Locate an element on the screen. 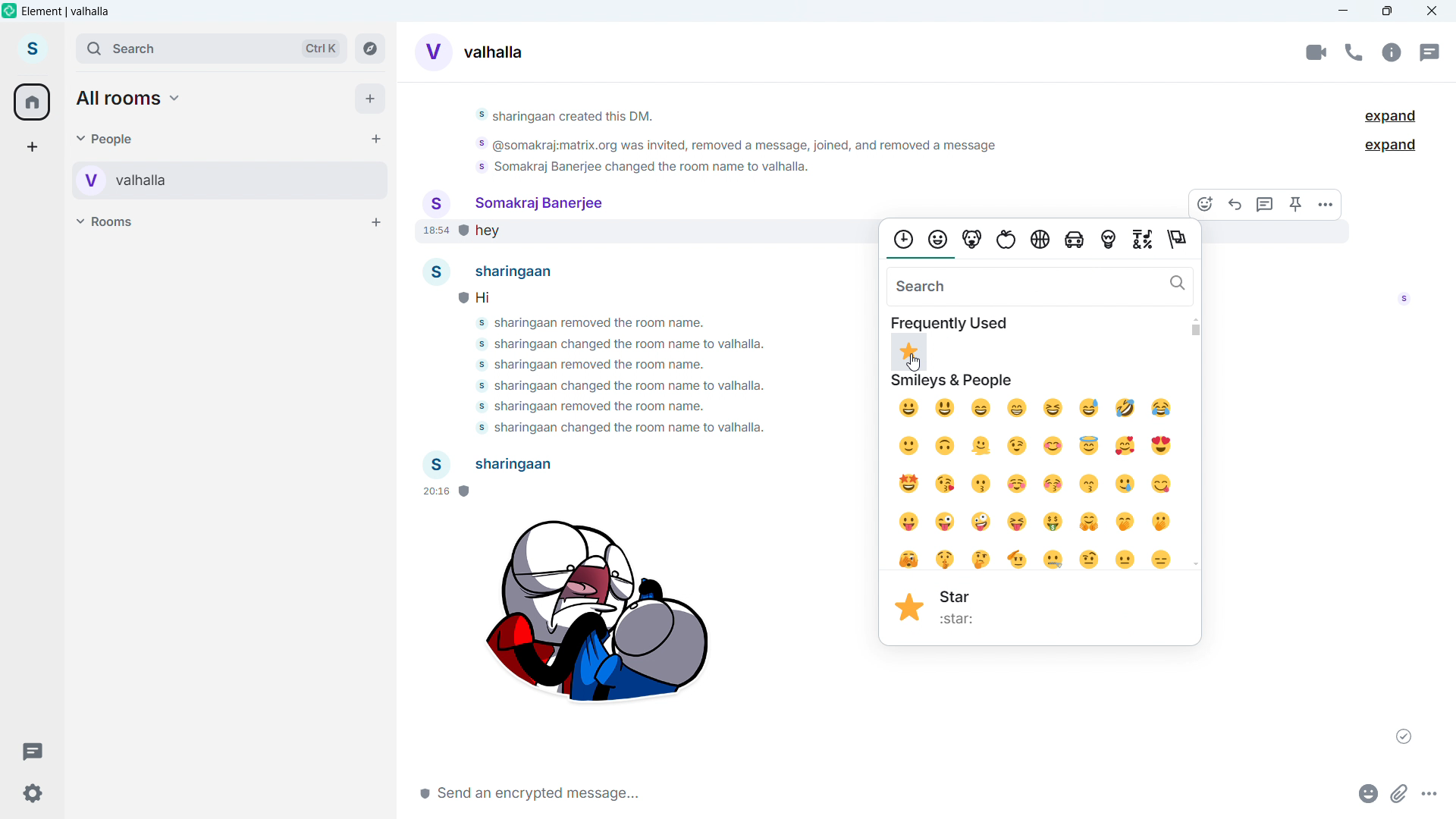 The height and width of the screenshot is (819, 1456). beaming face with smiling eyes is located at coordinates (981, 409).